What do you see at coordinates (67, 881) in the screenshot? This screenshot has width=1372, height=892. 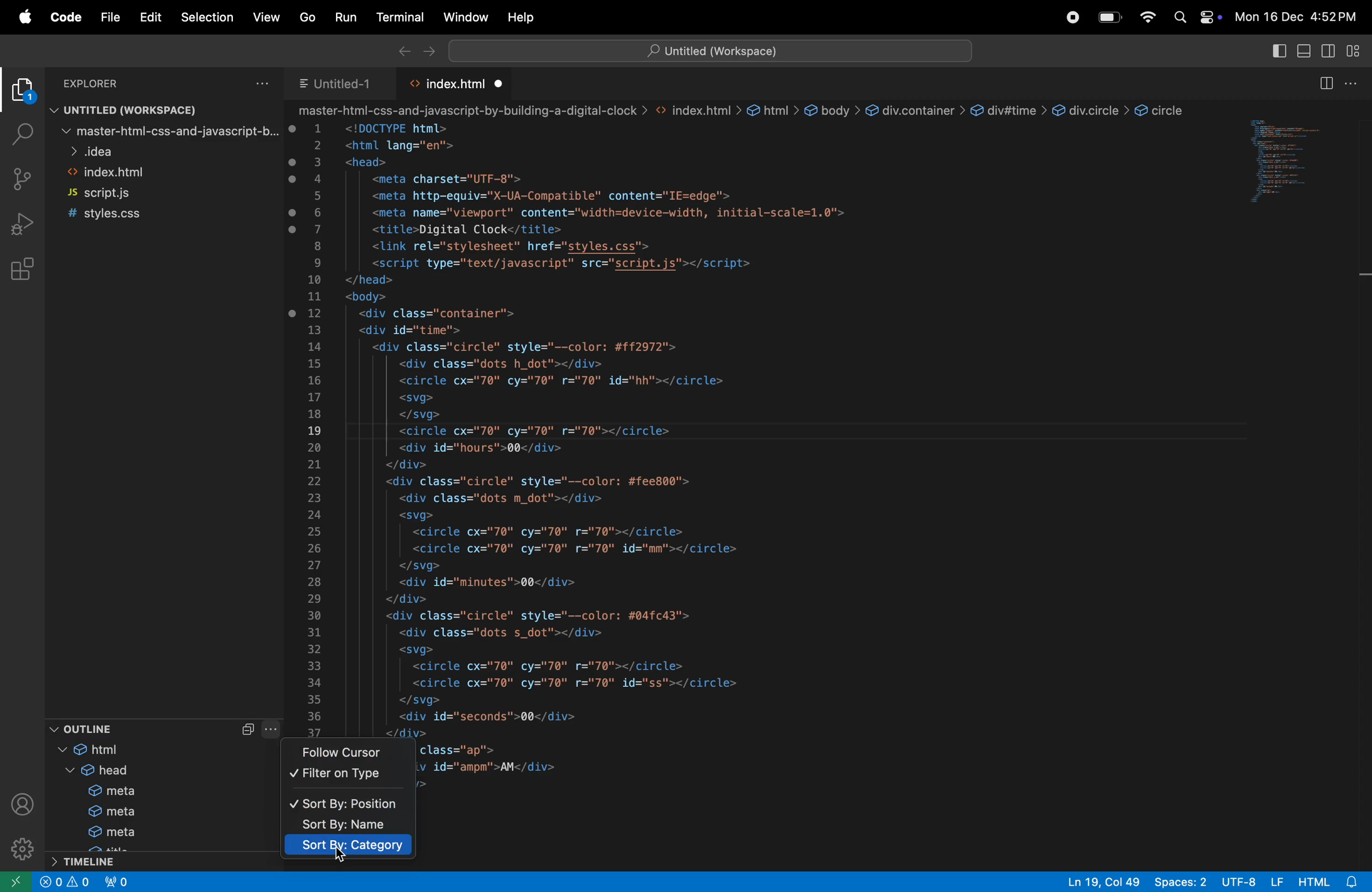 I see `` at bounding box center [67, 881].